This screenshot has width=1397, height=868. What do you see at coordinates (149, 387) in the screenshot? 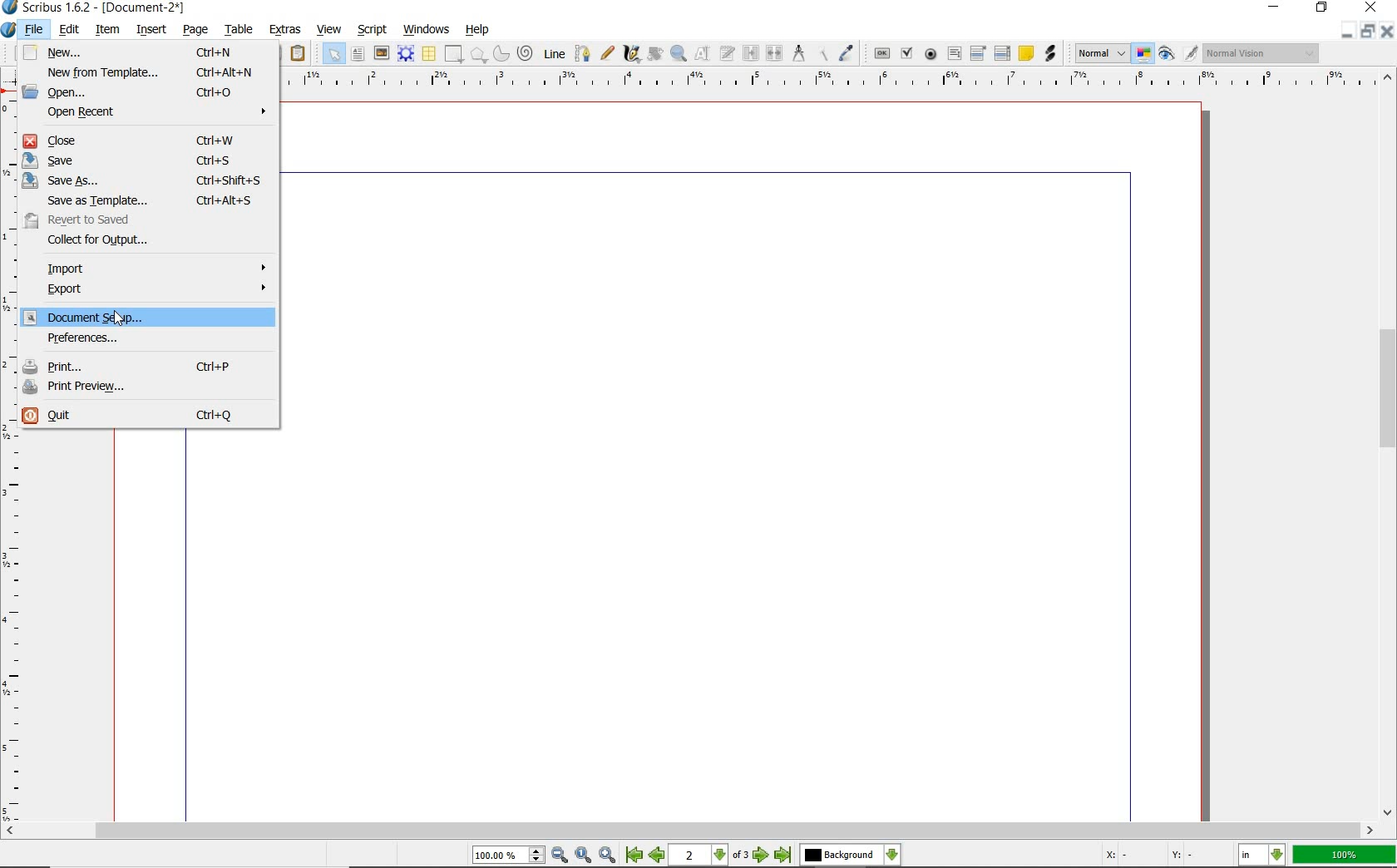
I see `print preview` at bounding box center [149, 387].